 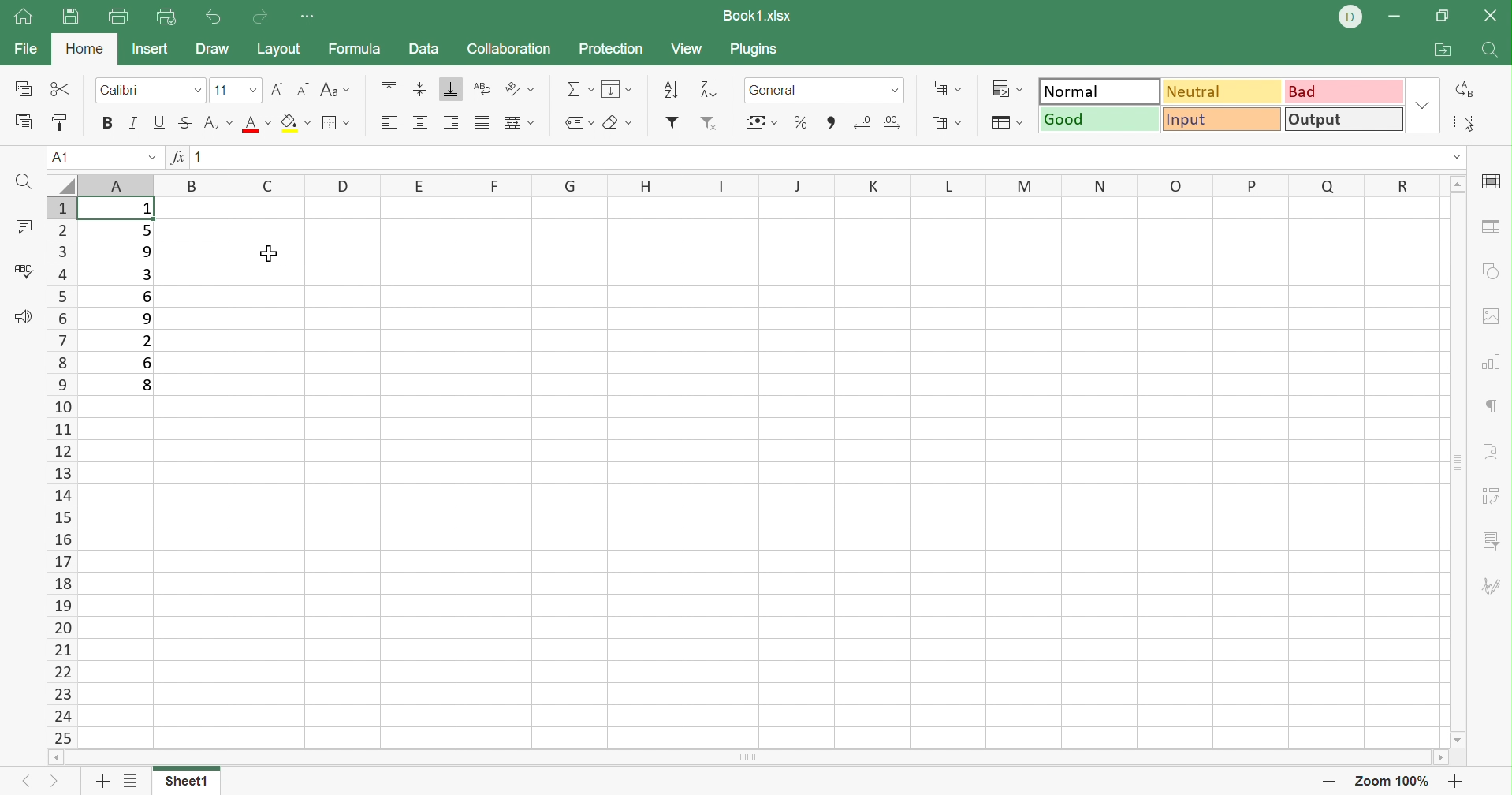 What do you see at coordinates (896, 120) in the screenshot?
I see `Increase decimal` at bounding box center [896, 120].